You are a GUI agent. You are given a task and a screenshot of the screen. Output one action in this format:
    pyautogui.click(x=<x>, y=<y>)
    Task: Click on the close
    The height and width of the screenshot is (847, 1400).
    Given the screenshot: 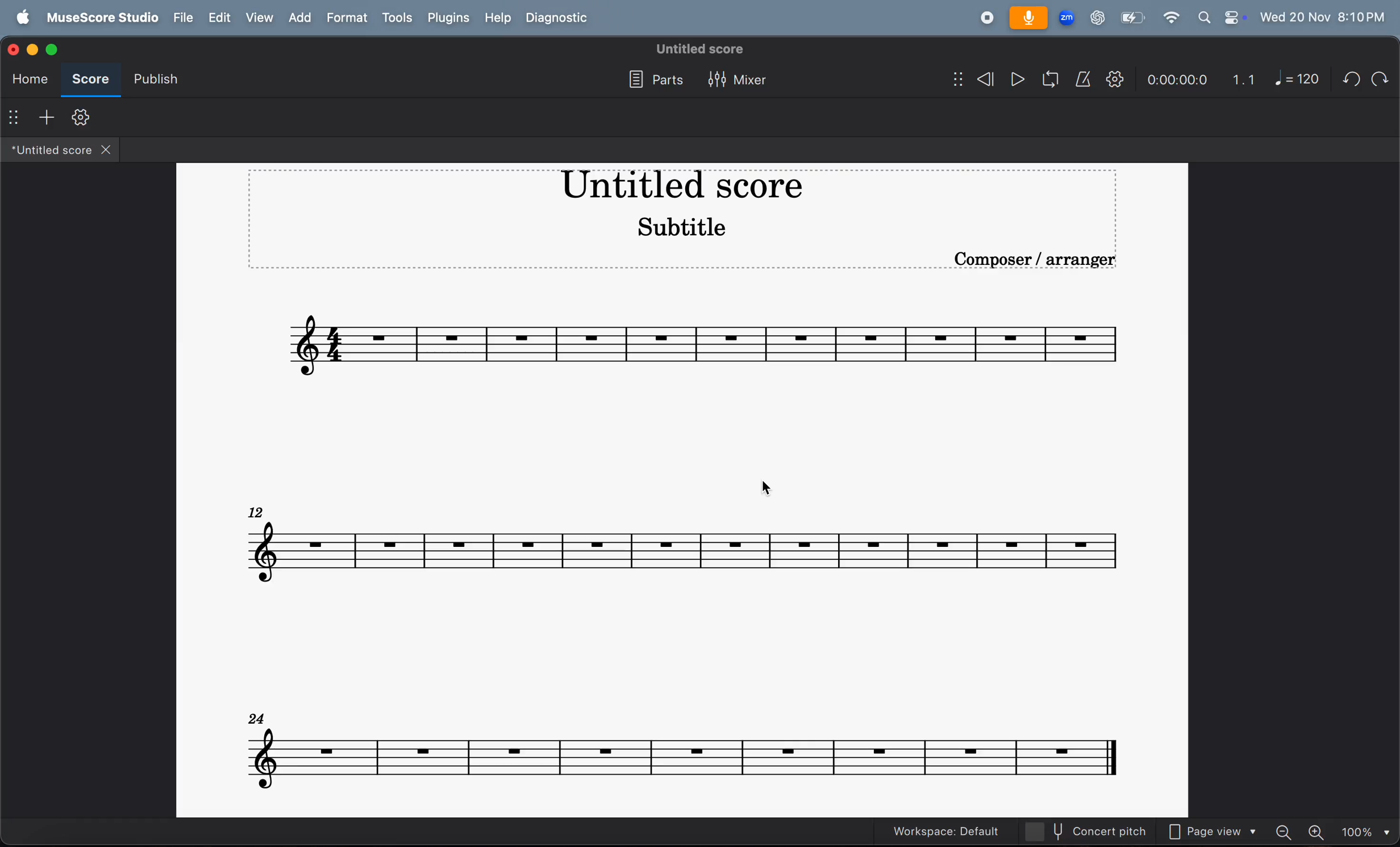 What is the action you would take?
    pyautogui.click(x=112, y=150)
    